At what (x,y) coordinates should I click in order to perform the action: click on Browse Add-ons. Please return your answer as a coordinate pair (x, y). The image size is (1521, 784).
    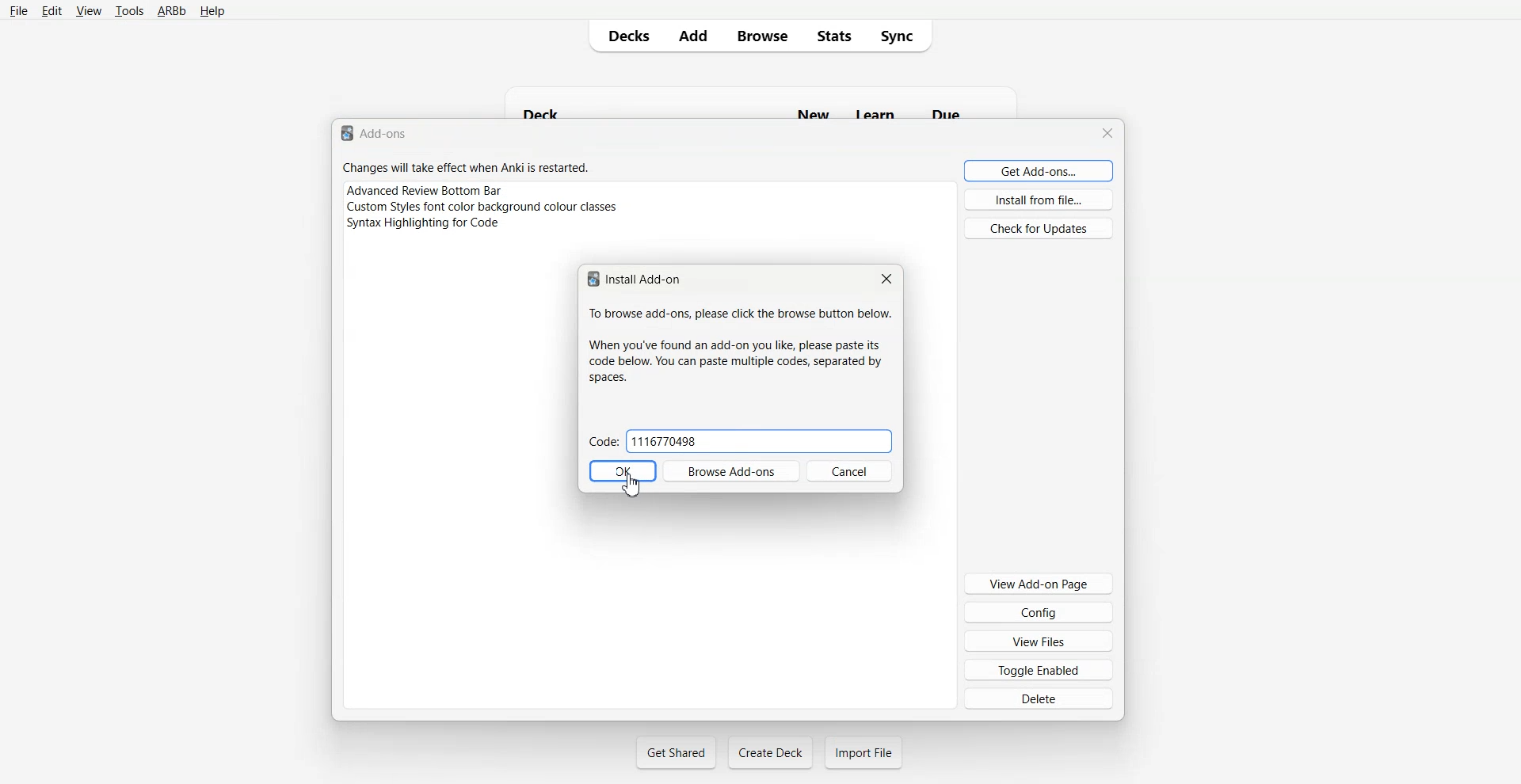
    Looking at the image, I should click on (732, 470).